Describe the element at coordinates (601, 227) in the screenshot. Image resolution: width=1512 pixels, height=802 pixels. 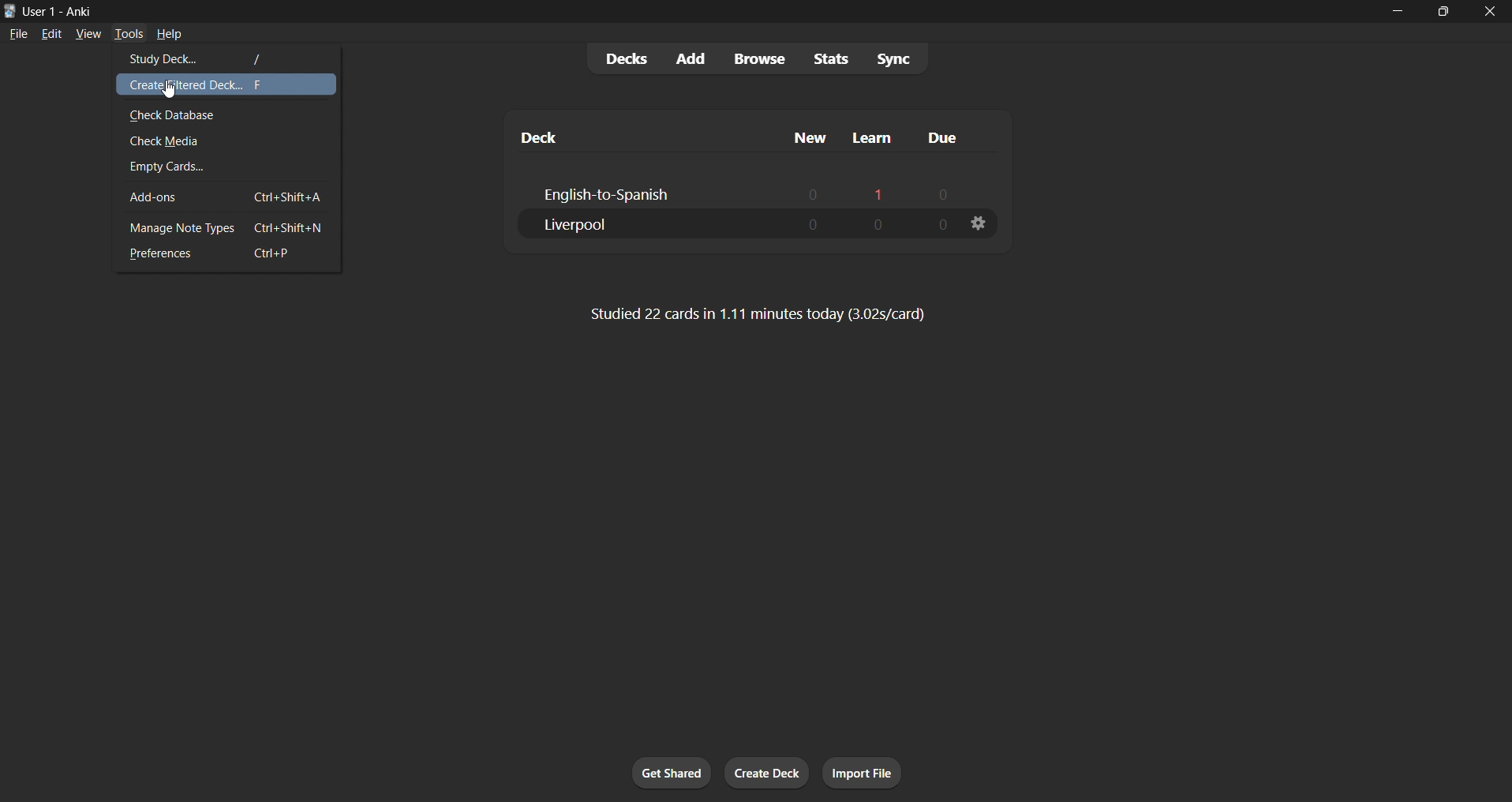
I see `liverpool` at that location.